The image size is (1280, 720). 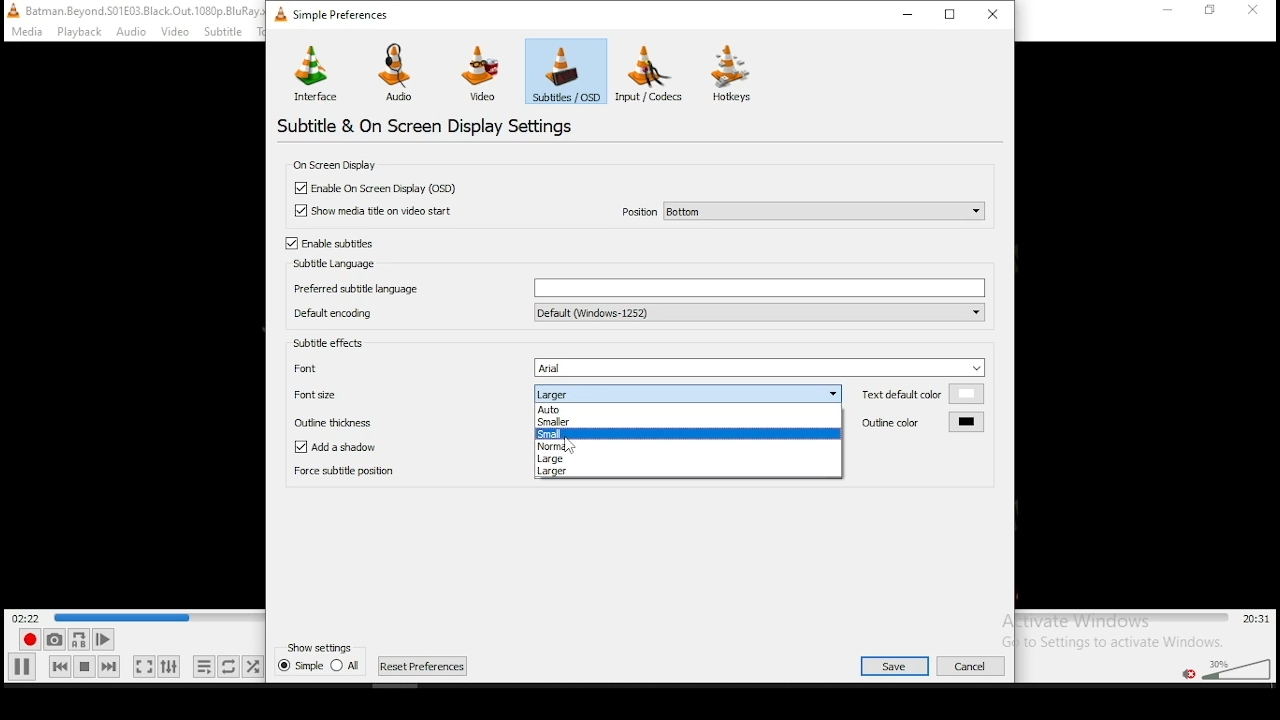 What do you see at coordinates (995, 13) in the screenshot?
I see `close window` at bounding box center [995, 13].